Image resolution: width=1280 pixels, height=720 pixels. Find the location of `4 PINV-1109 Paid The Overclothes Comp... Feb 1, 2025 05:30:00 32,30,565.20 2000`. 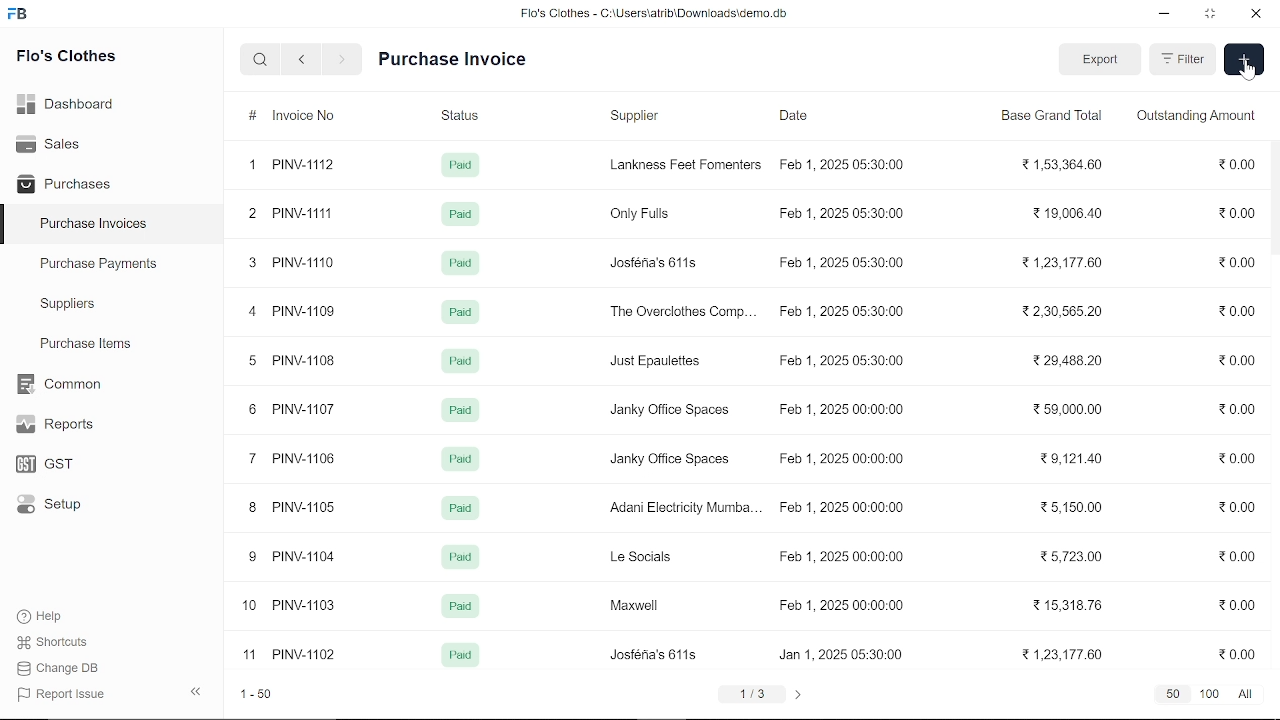

4 PINV-1109 Paid The Overclothes Comp... Feb 1, 2025 05:30:00 32,30,565.20 2000 is located at coordinates (738, 312).